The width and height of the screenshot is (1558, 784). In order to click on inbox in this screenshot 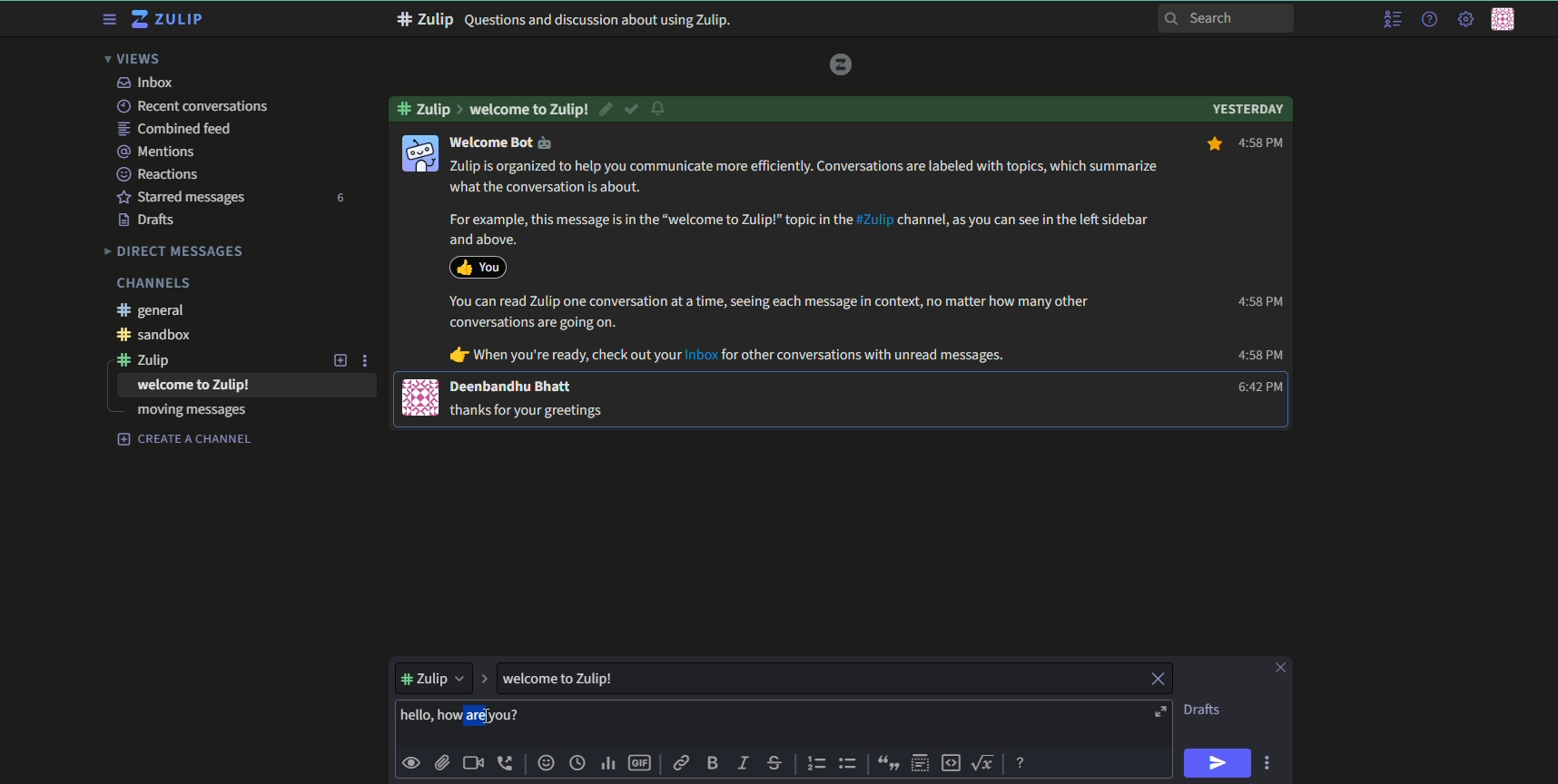, I will do `click(144, 83)`.